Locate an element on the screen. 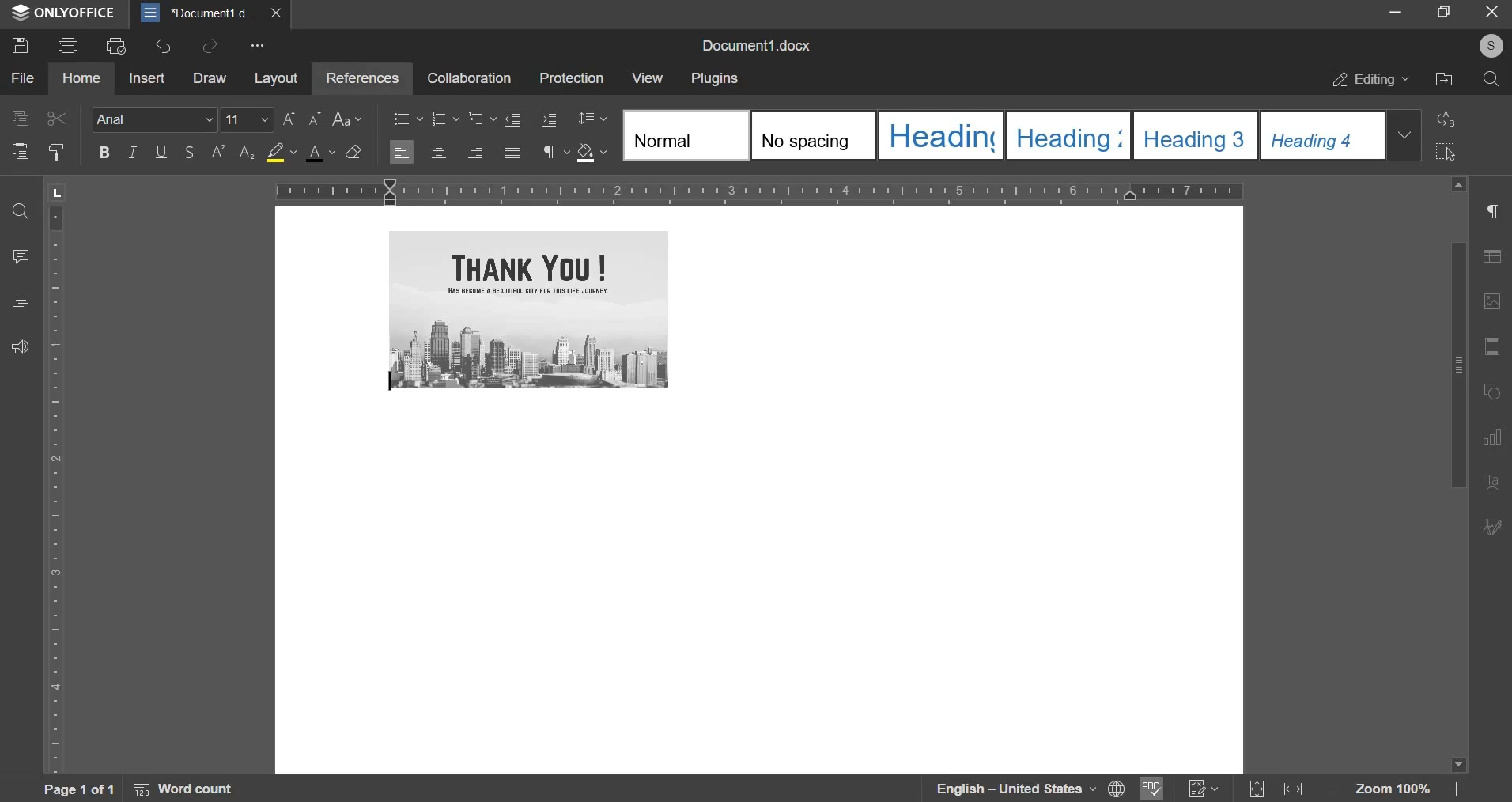  No spacing is located at coordinates (814, 135).